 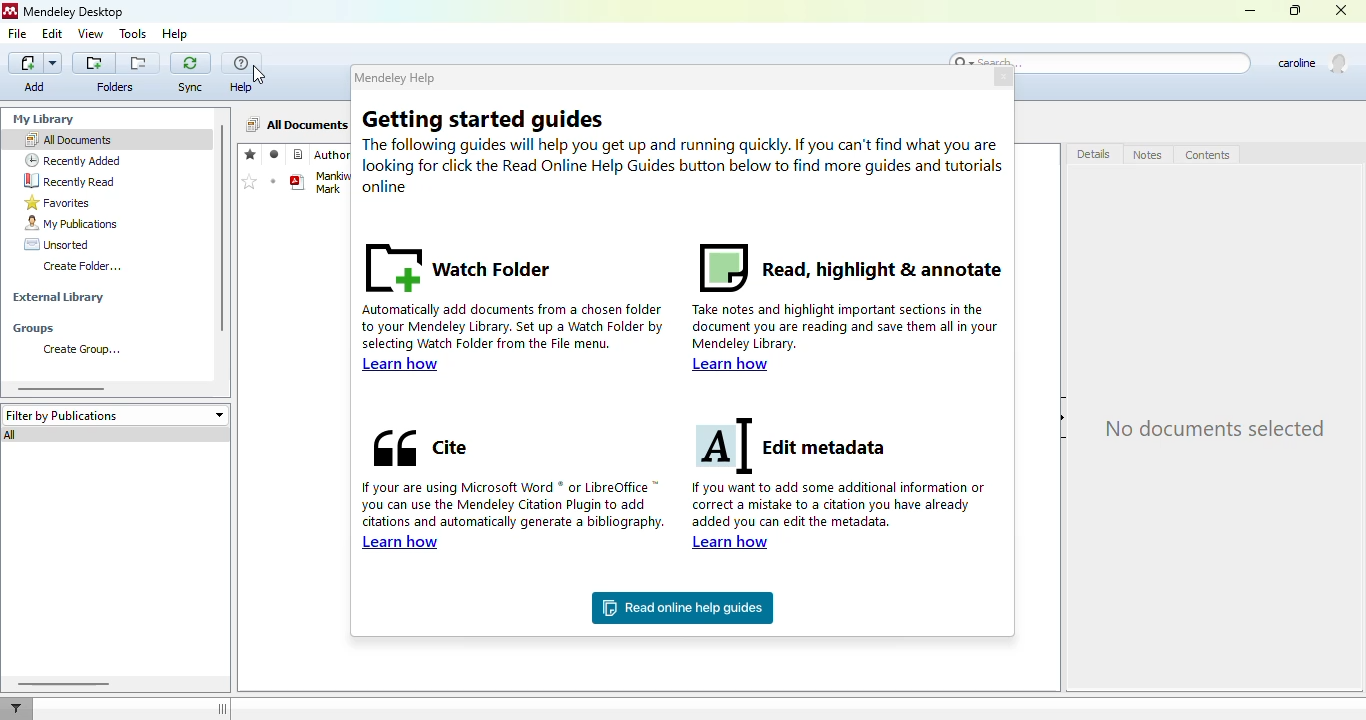 What do you see at coordinates (65, 684) in the screenshot?
I see `horizontal scroll bar` at bounding box center [65, 684].